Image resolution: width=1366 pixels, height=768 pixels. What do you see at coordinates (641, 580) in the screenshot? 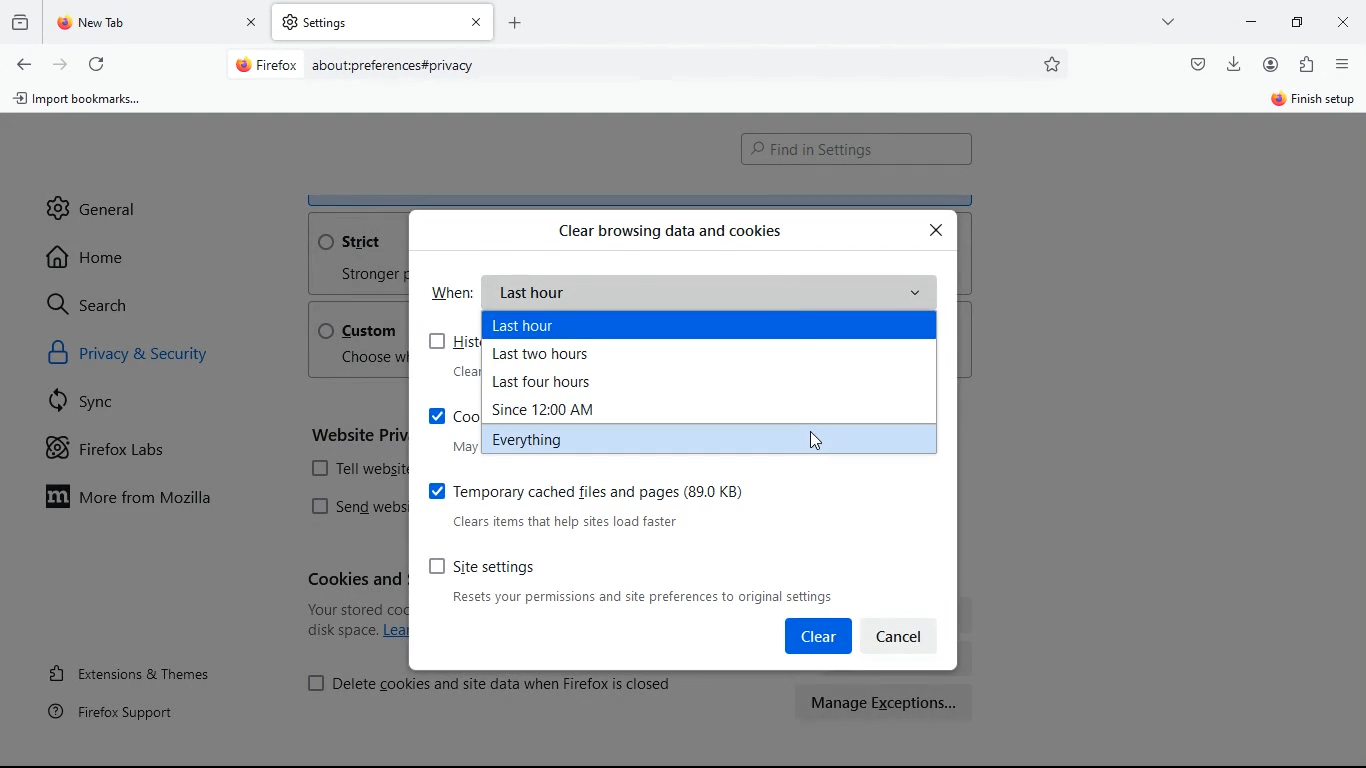
I see `site settings` at bounding box center [641, 580].